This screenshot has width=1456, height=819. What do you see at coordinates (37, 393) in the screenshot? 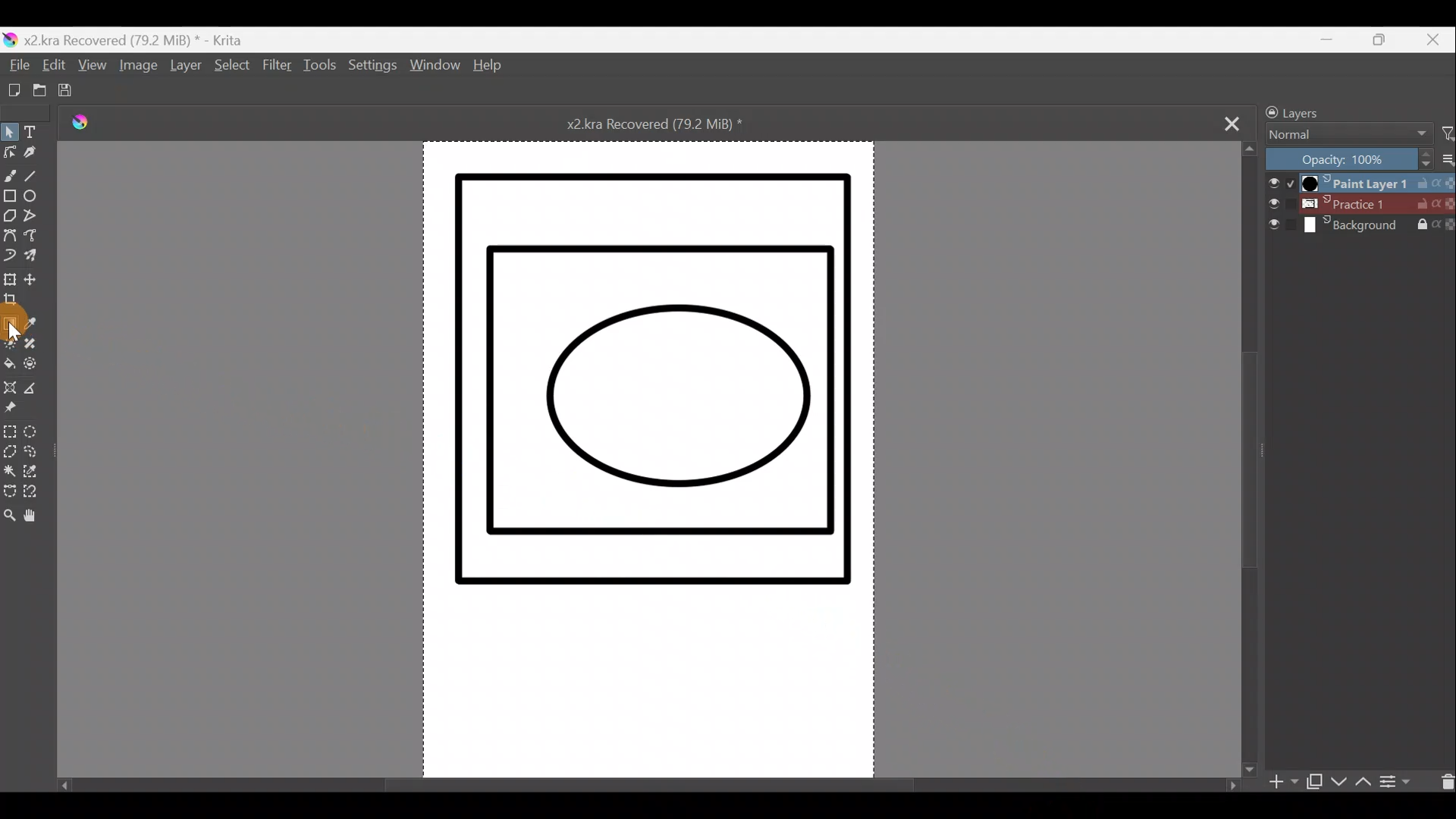
I see `Measure the distance between two points` at bounding box center [37, 393].